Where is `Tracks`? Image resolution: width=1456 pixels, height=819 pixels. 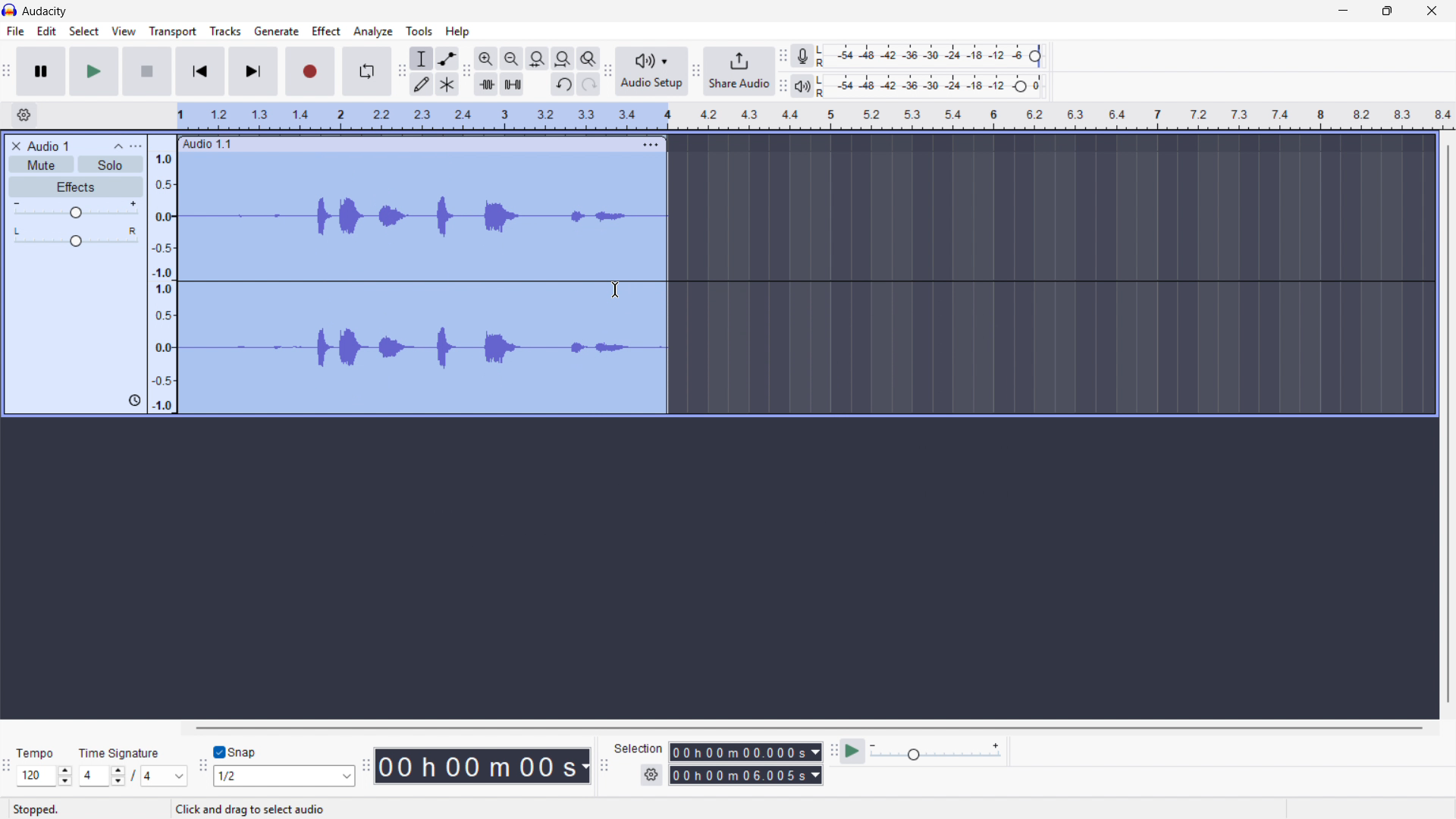 Tracks is located at coordinates (225, 30).